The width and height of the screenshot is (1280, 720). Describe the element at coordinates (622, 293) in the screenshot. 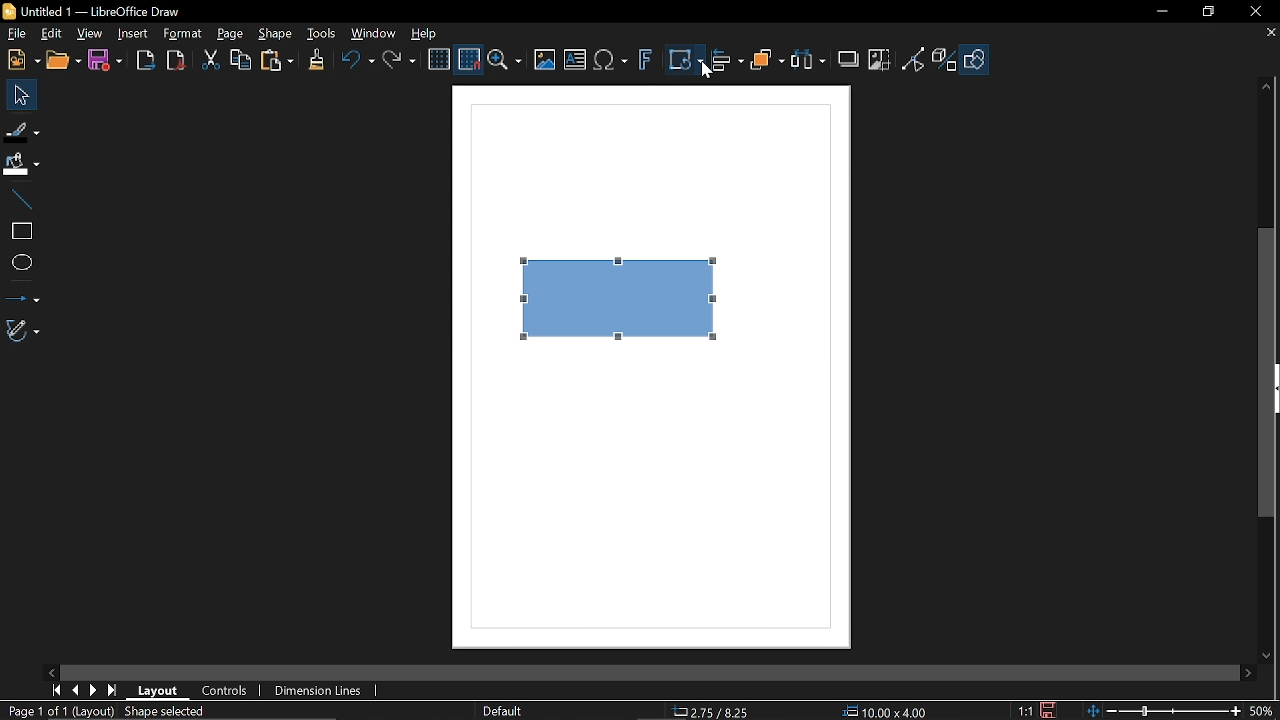

I see `Rectangle (selected diagram)` at that location.